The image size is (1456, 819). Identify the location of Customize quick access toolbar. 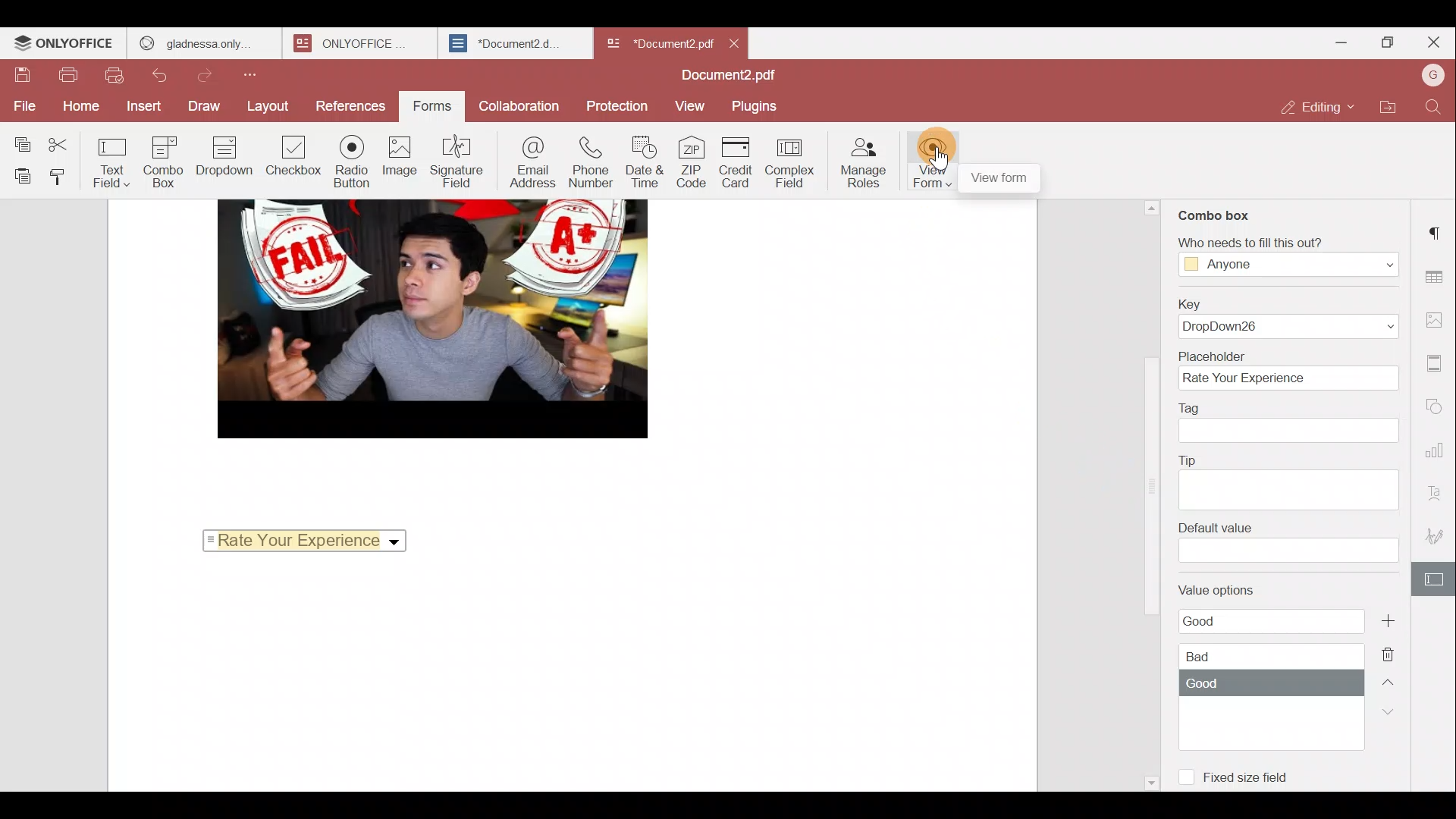
(255, 77).